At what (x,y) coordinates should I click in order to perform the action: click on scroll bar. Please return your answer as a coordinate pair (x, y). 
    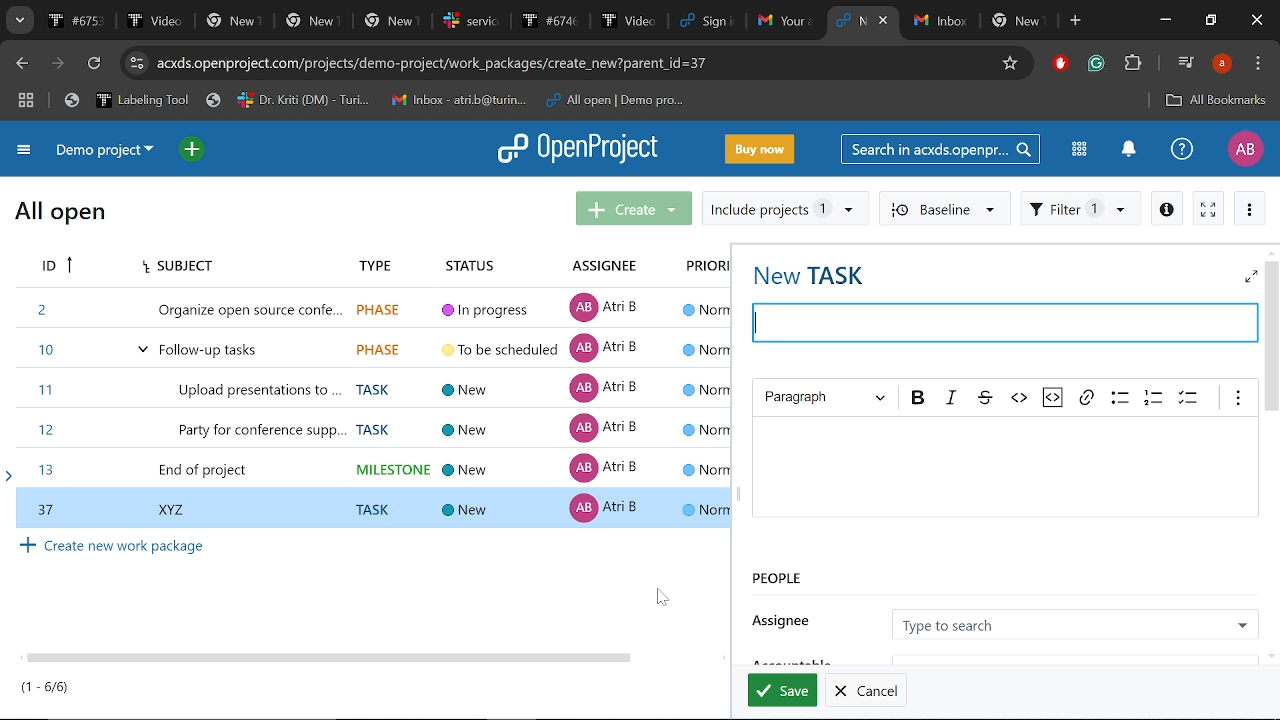
    Looking at the image, I should click on (336, 652).